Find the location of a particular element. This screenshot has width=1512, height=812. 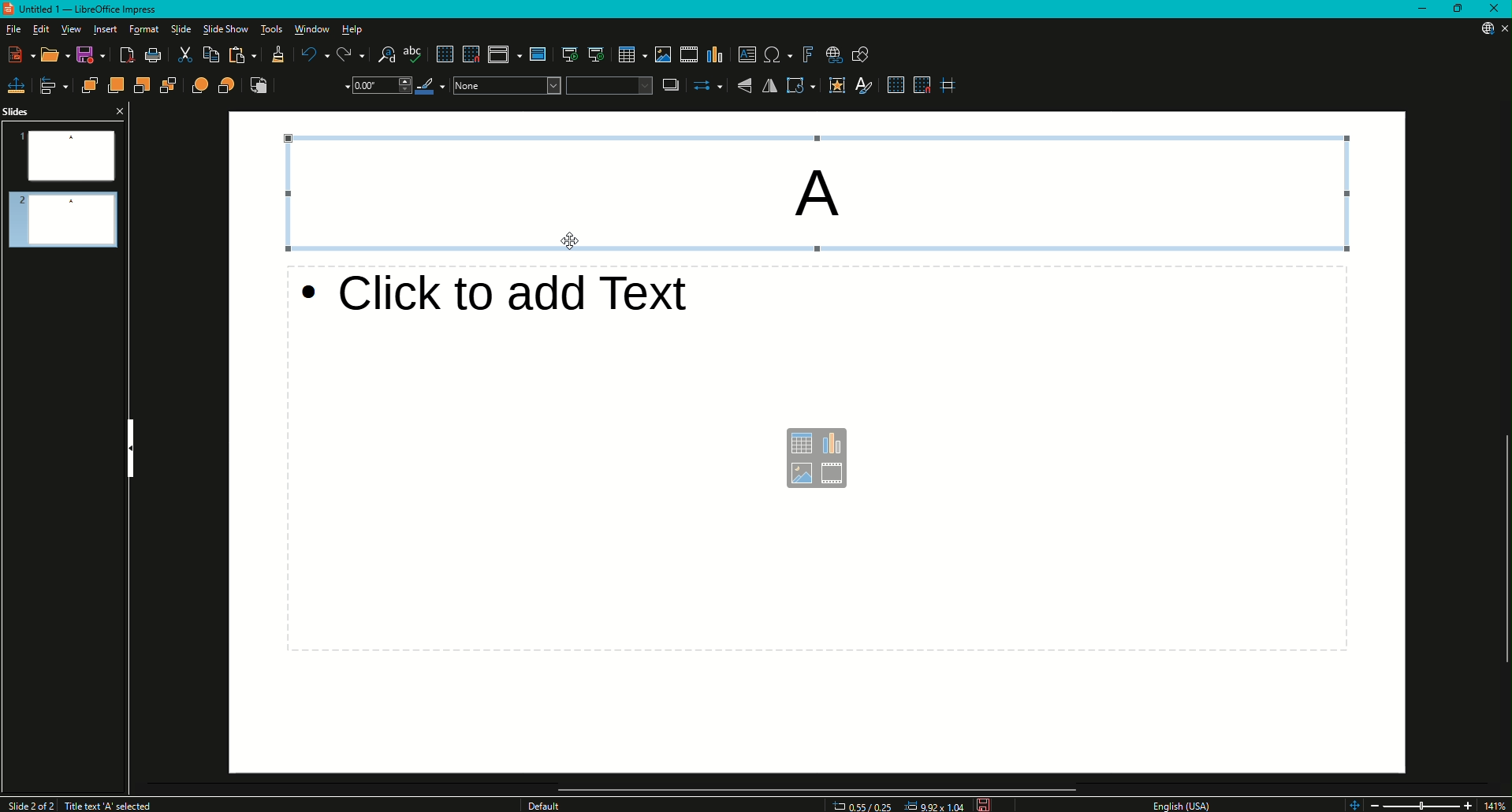

Reverse is located at coordinates (257, 88).